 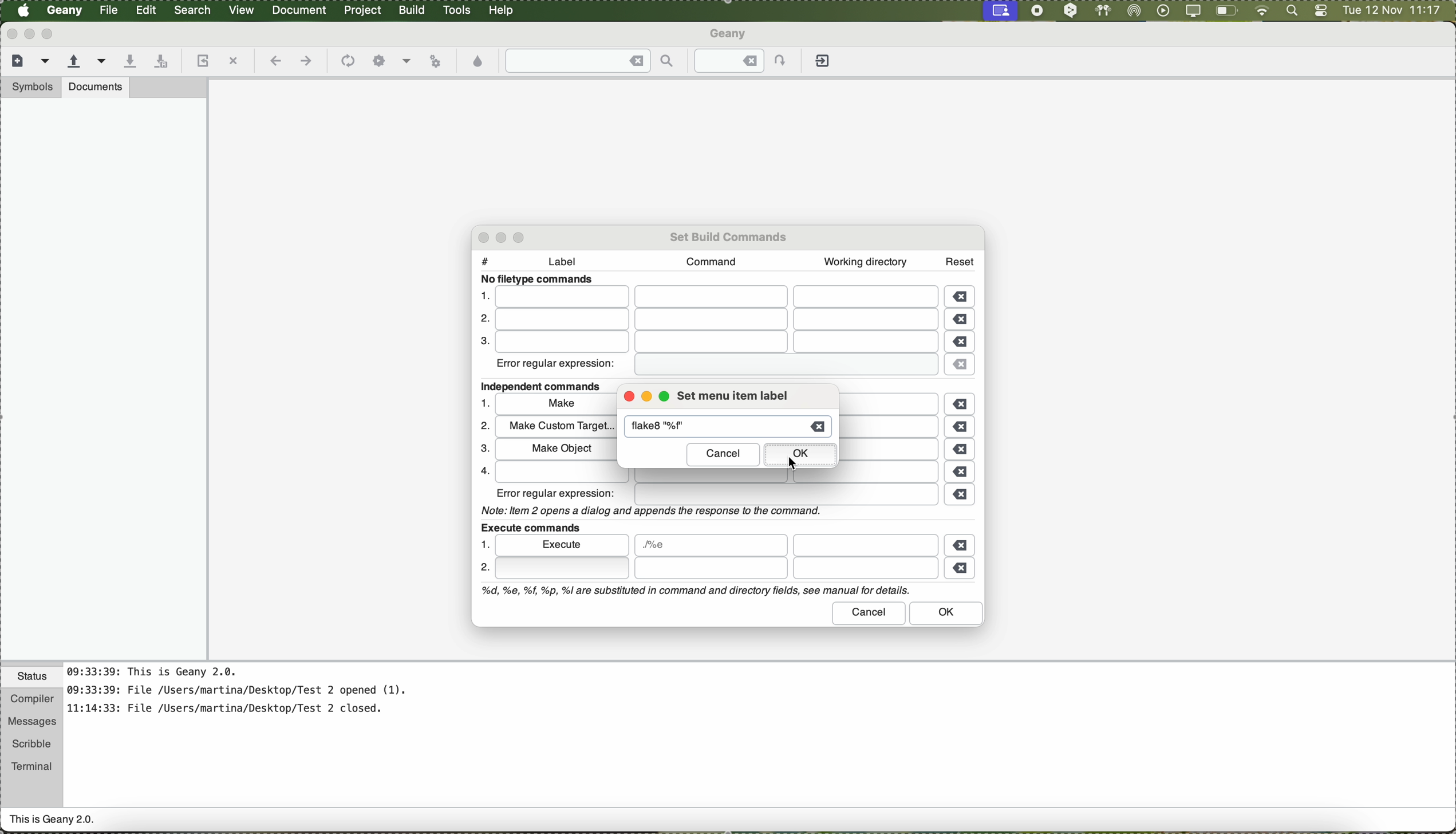 What do you see at coordinates (800, 456) in the screenshot?
I see `click on OK button` at bounding box center [800, 456].